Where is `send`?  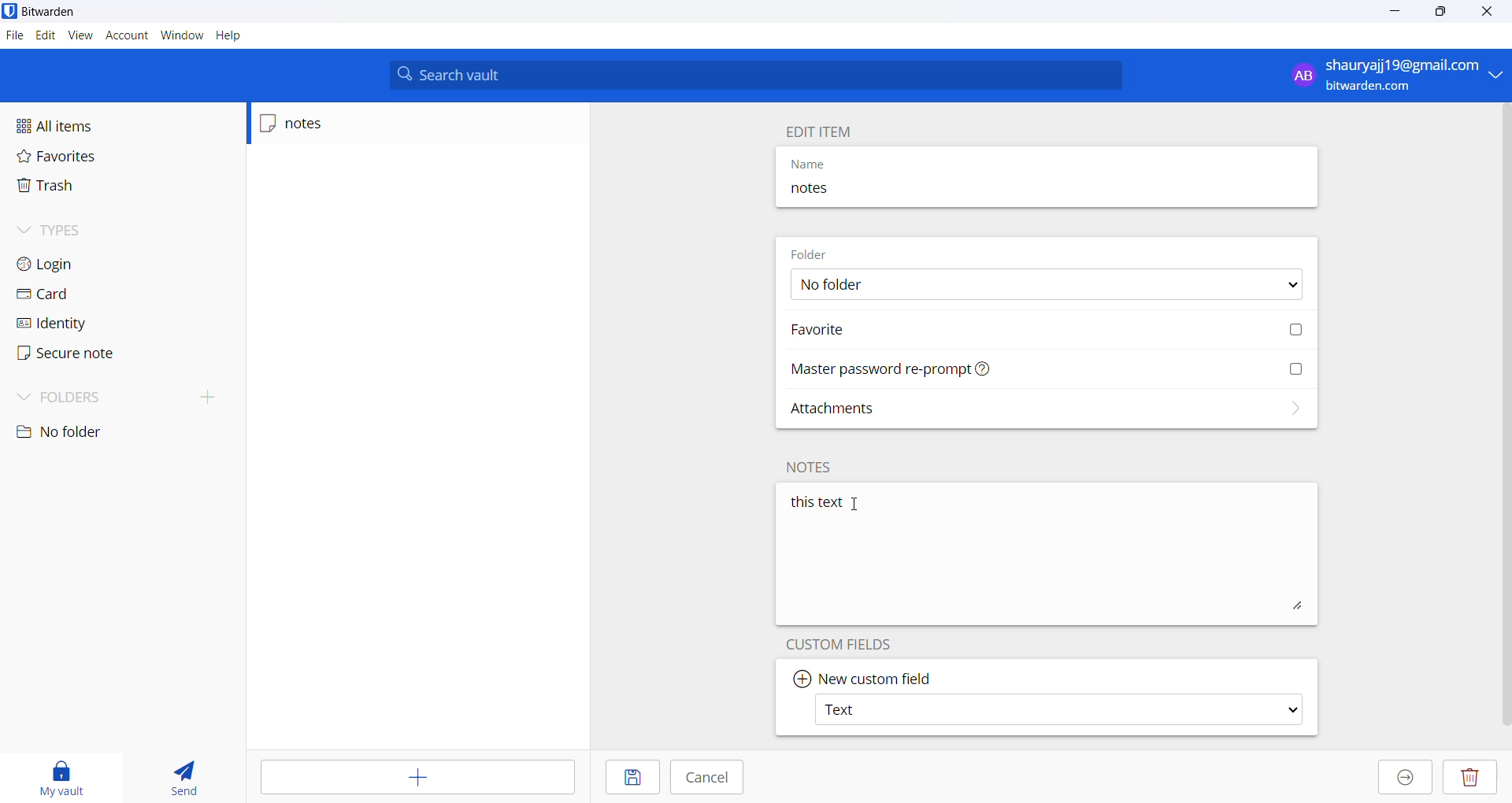 send is located at coordinates (179, 777).